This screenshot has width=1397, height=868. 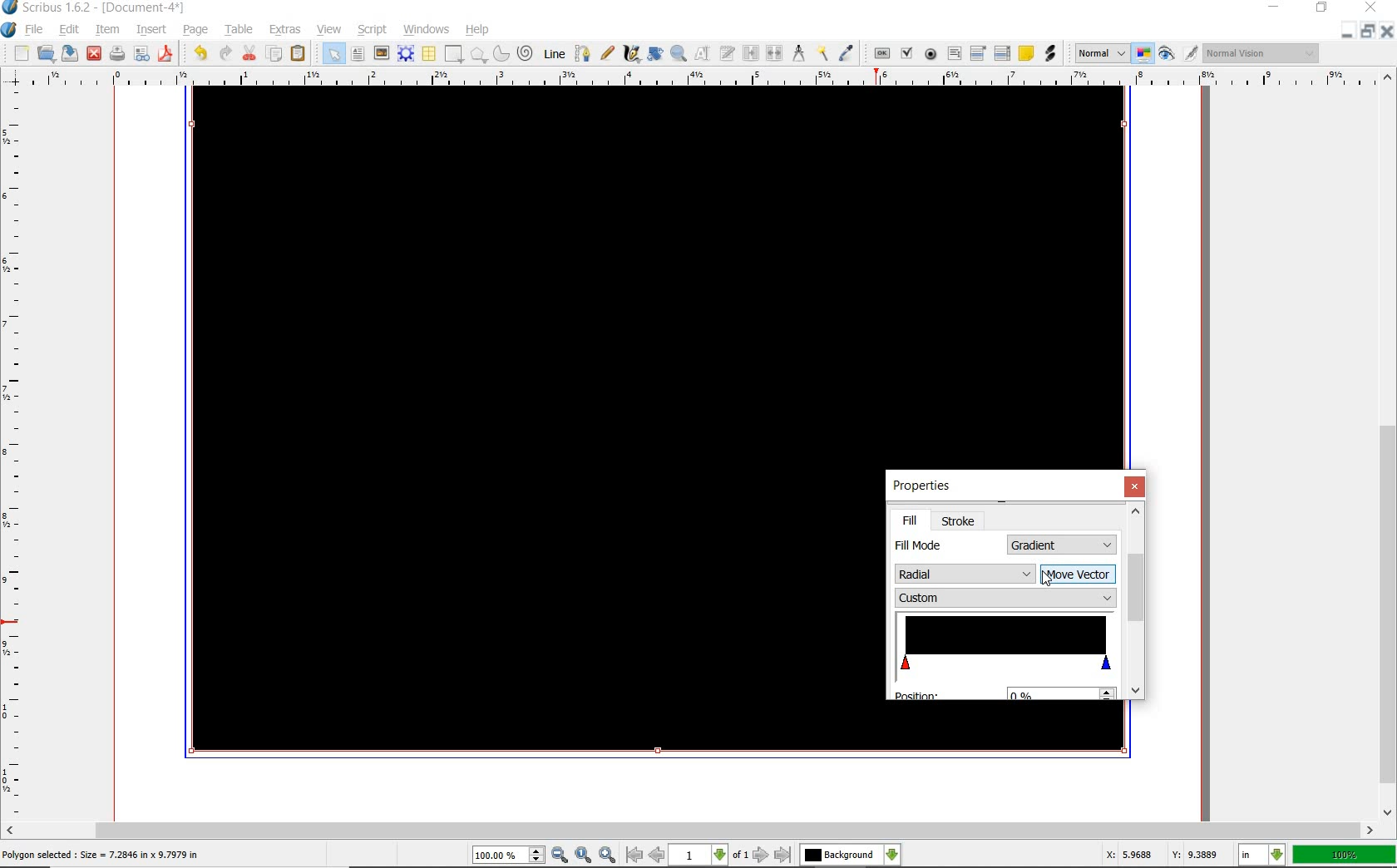 I want to click on go to first page, so click(x=635, y=856).